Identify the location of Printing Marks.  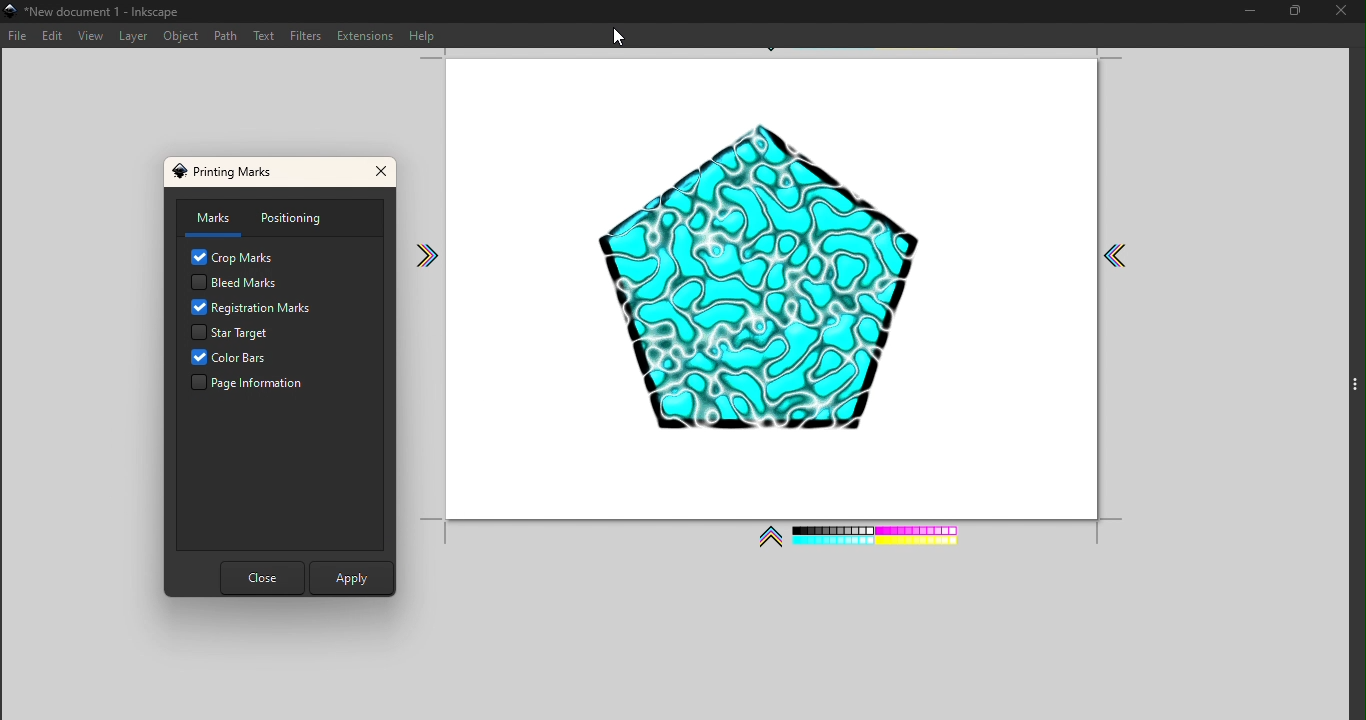
(229, 171).